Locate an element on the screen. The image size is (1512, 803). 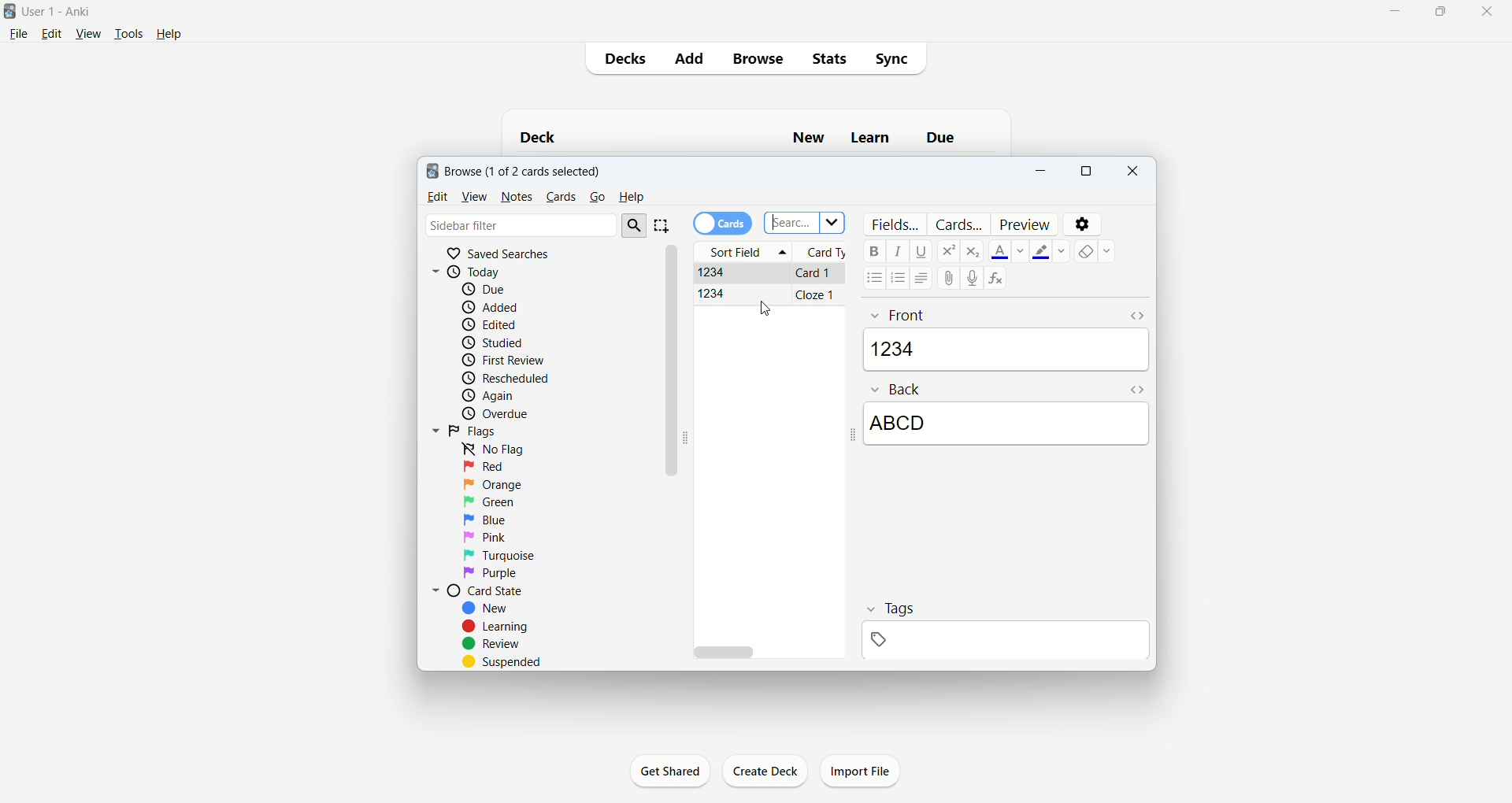
Basic card is located at coordinates (773, 272).